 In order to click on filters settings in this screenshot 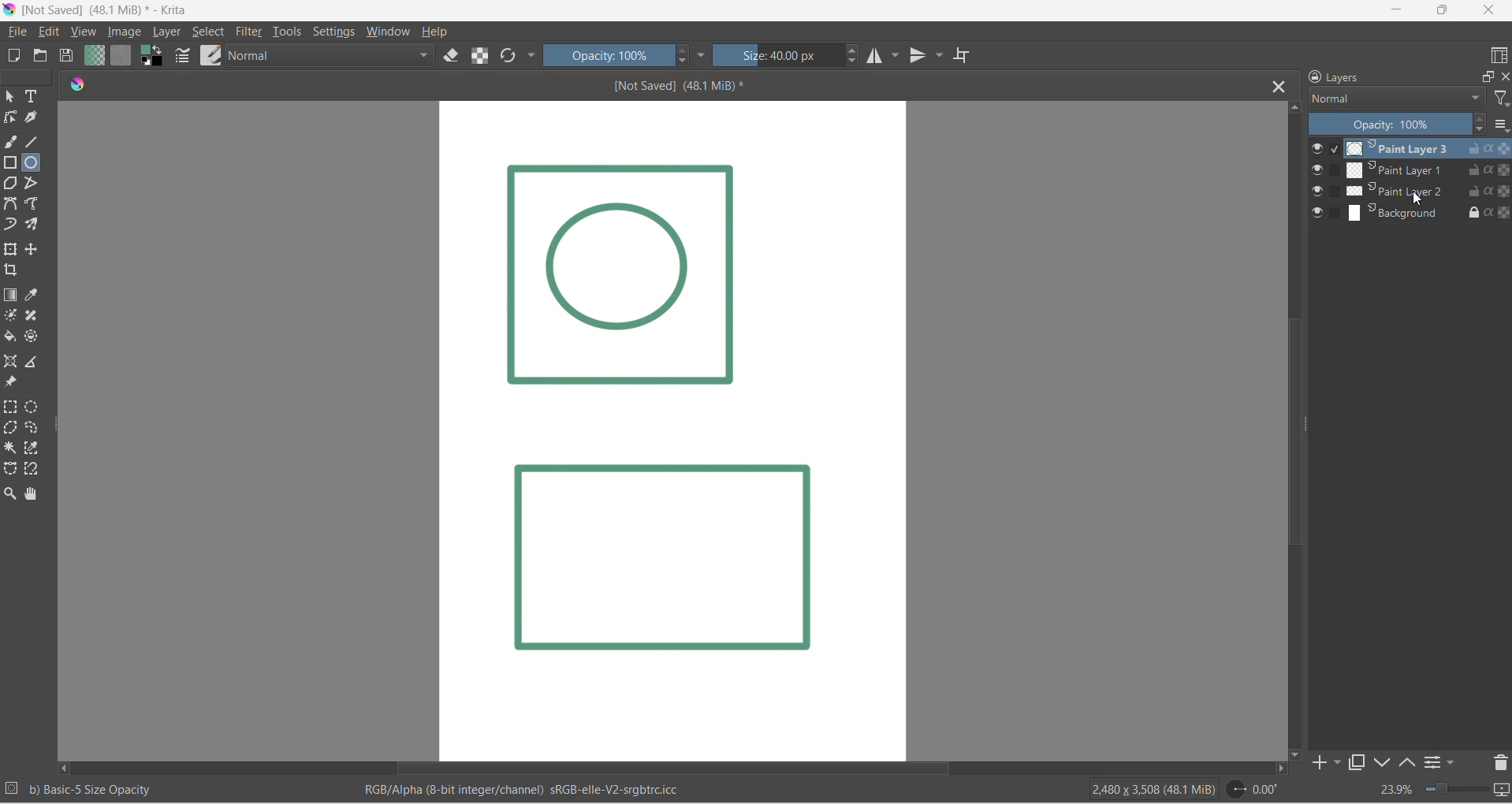, I will do `click(1455, 761)`.